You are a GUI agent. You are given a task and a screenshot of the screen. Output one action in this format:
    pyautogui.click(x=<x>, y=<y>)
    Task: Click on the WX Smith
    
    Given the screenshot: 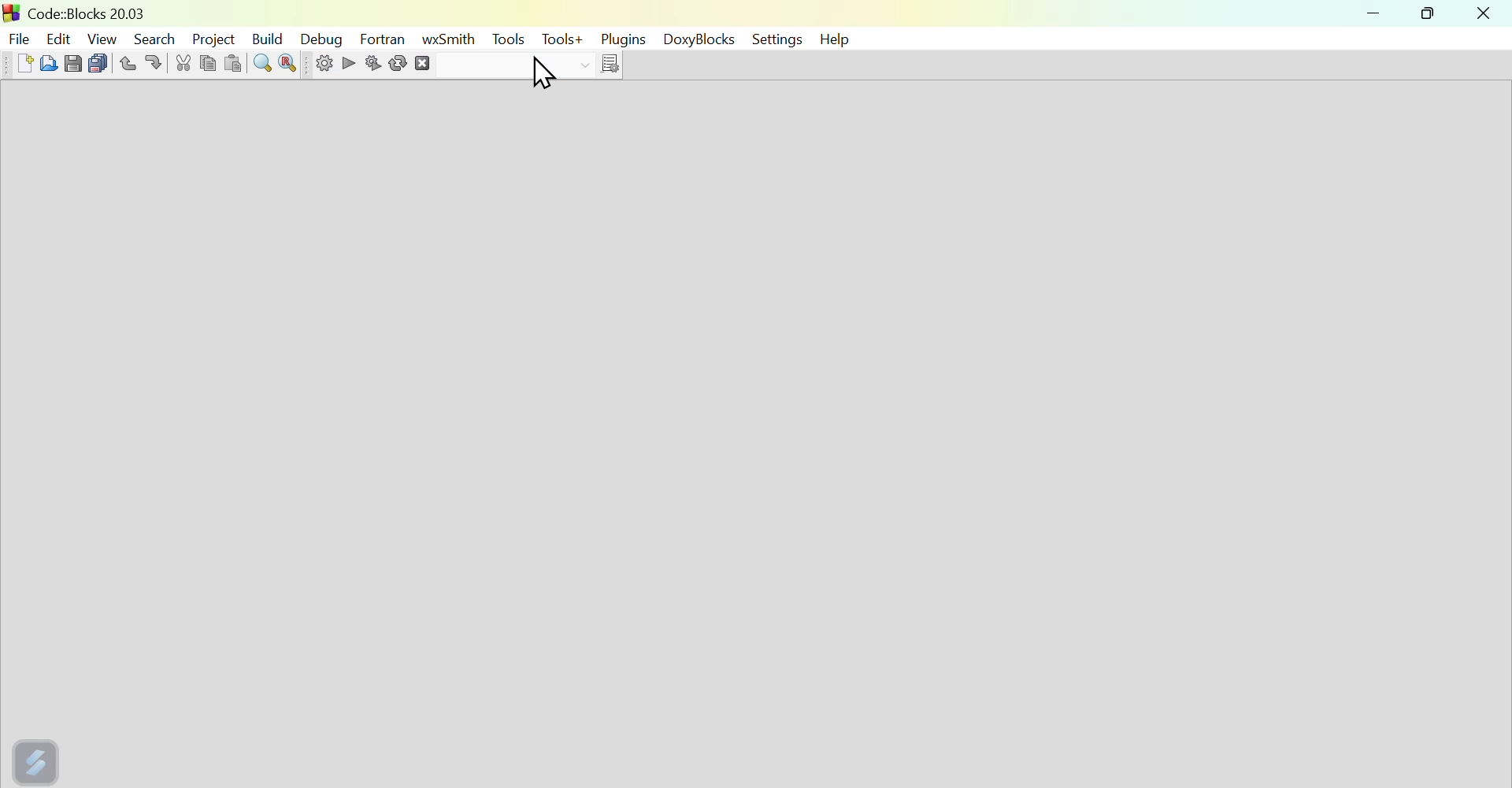 What is the action you would take?
    pyautogui.click(x=449, y=39)
    